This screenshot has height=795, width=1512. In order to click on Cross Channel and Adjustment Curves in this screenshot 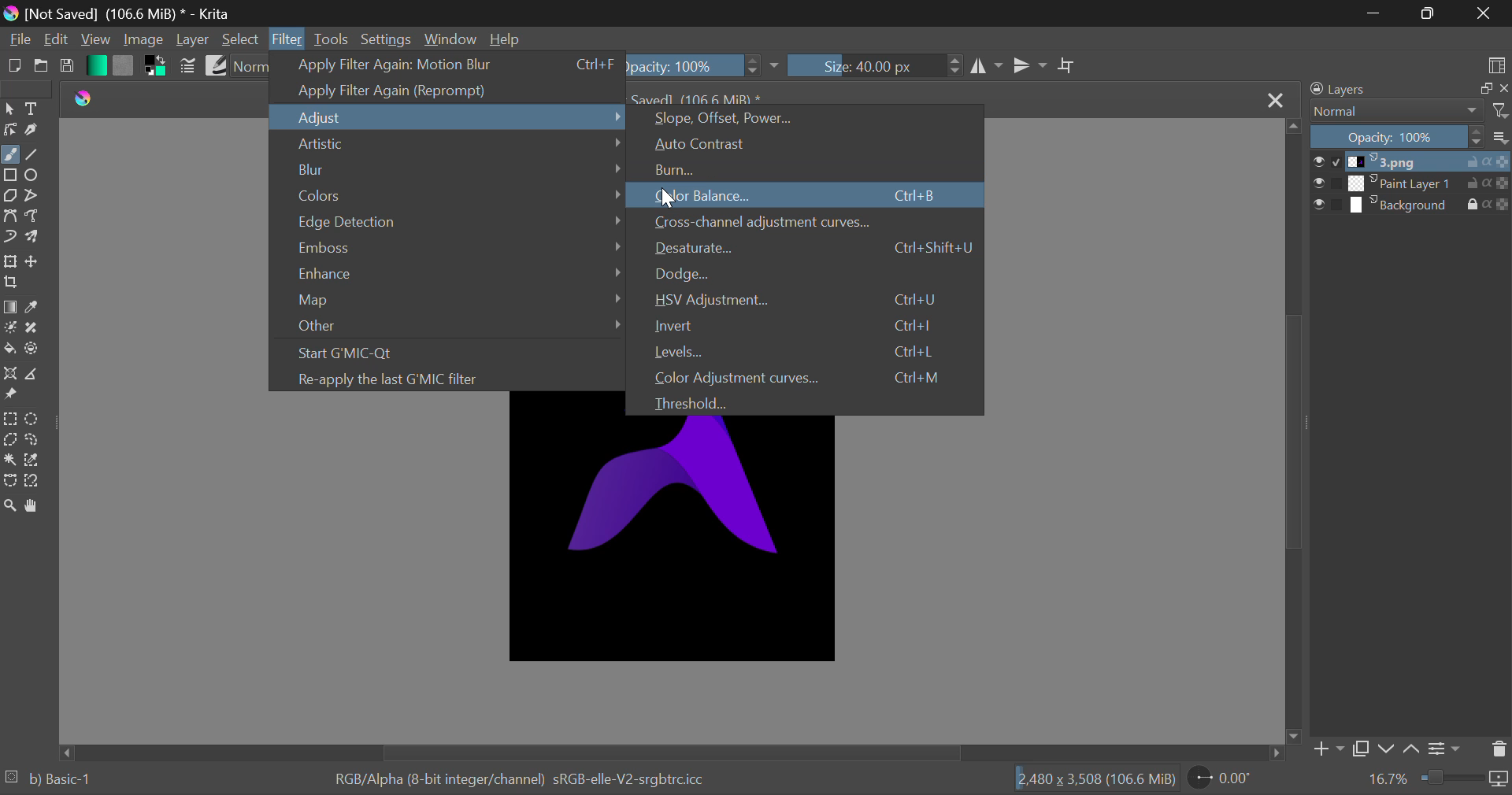, I will do `click(814, 223)`.